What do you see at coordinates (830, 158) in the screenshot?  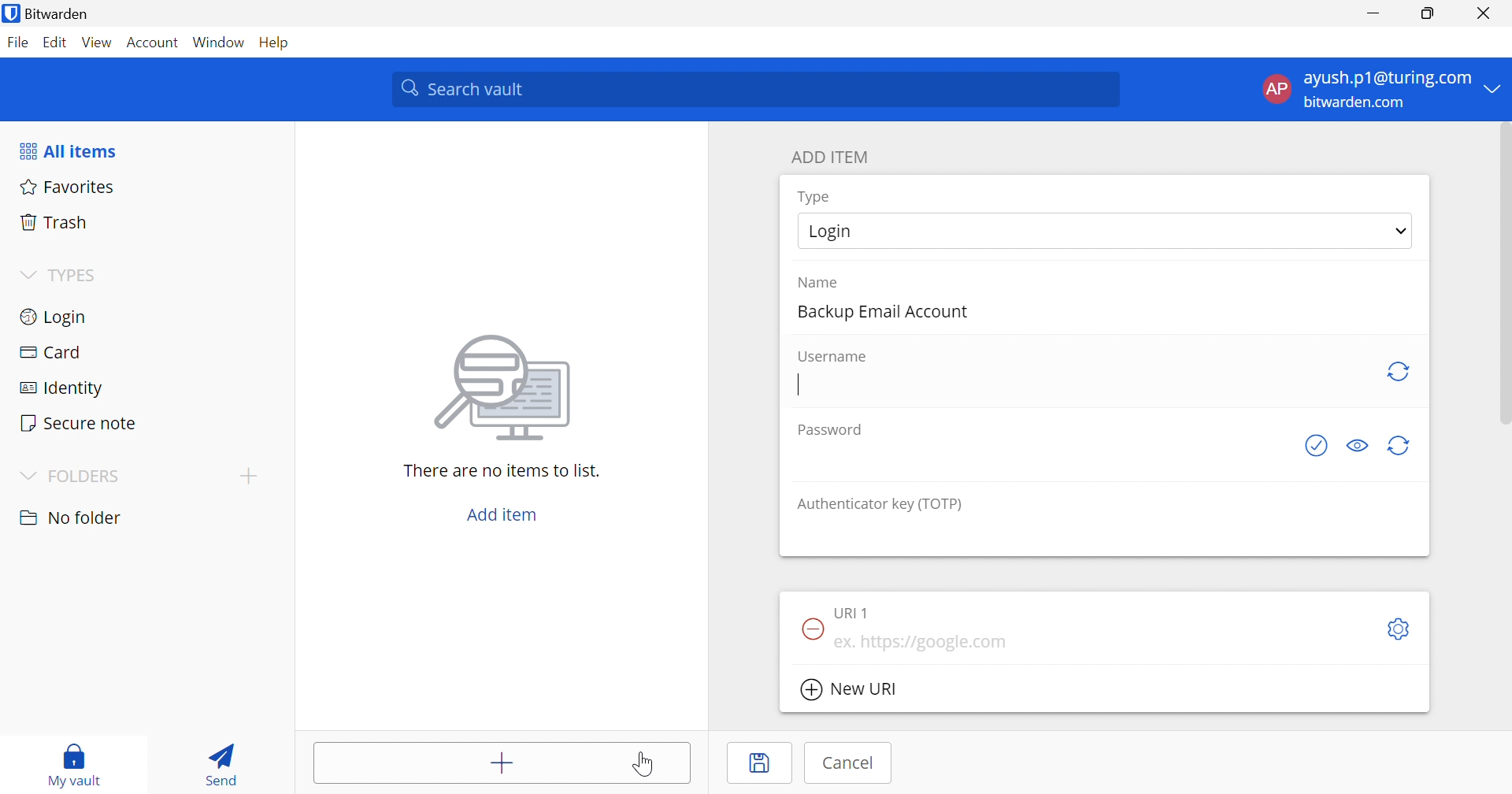 I see `ADD ITEM` at bounding box center [830, 158].